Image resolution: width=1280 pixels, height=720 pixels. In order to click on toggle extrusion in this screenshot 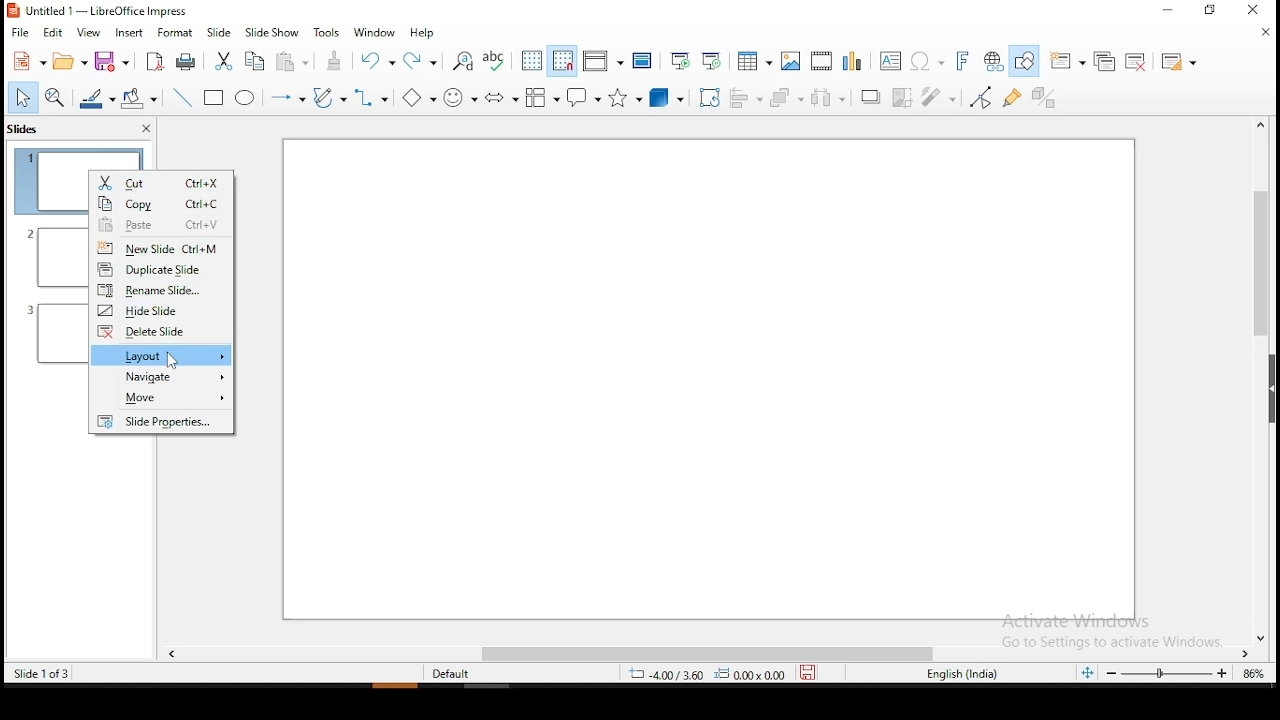, I will do `click(1040, 98)`.